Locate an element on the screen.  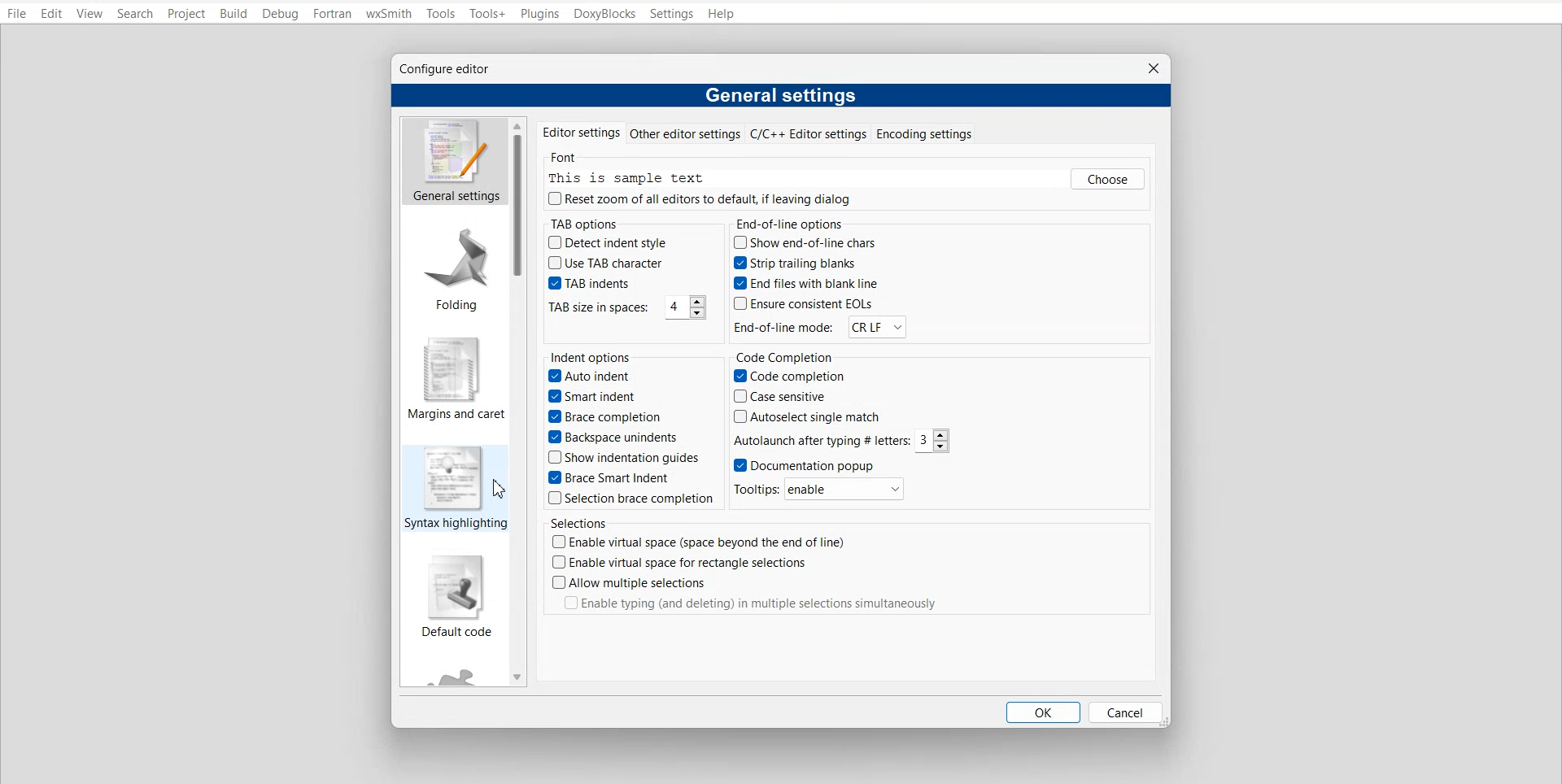
File  is located at coordinates (16, 14).